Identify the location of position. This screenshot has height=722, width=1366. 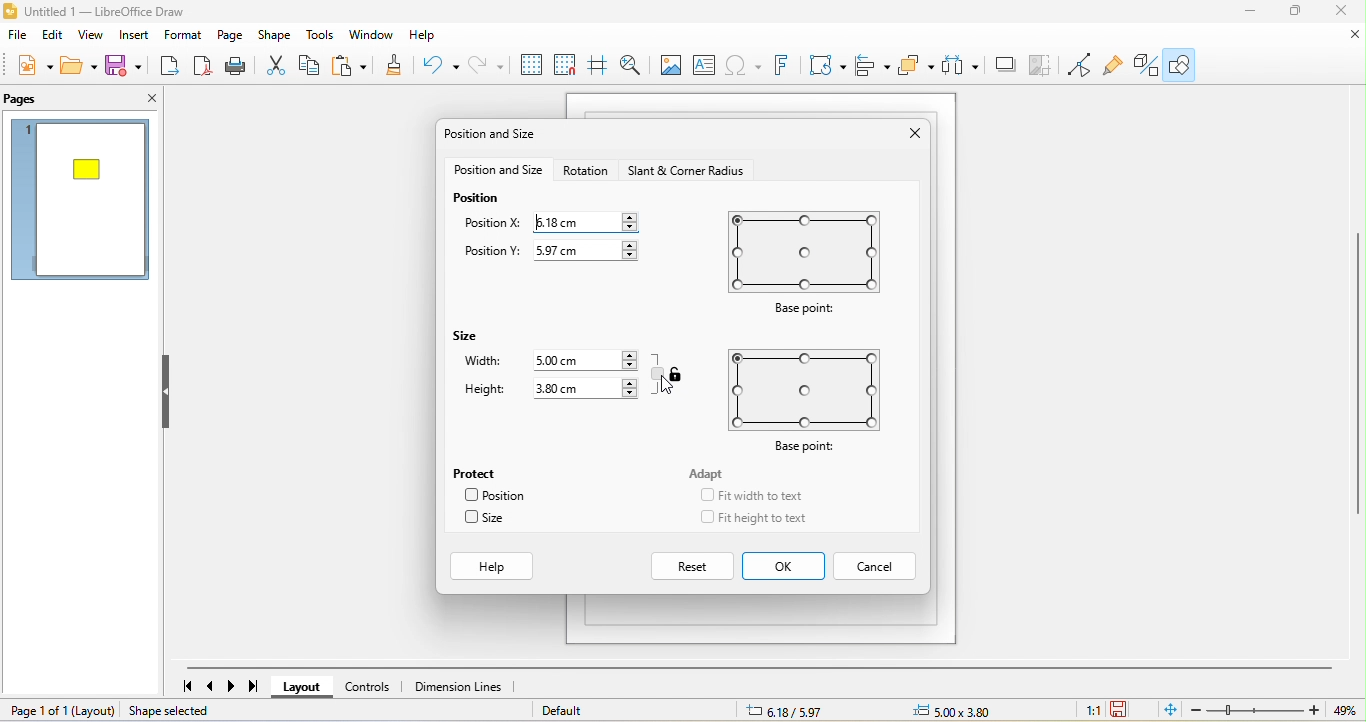
(499, 495).